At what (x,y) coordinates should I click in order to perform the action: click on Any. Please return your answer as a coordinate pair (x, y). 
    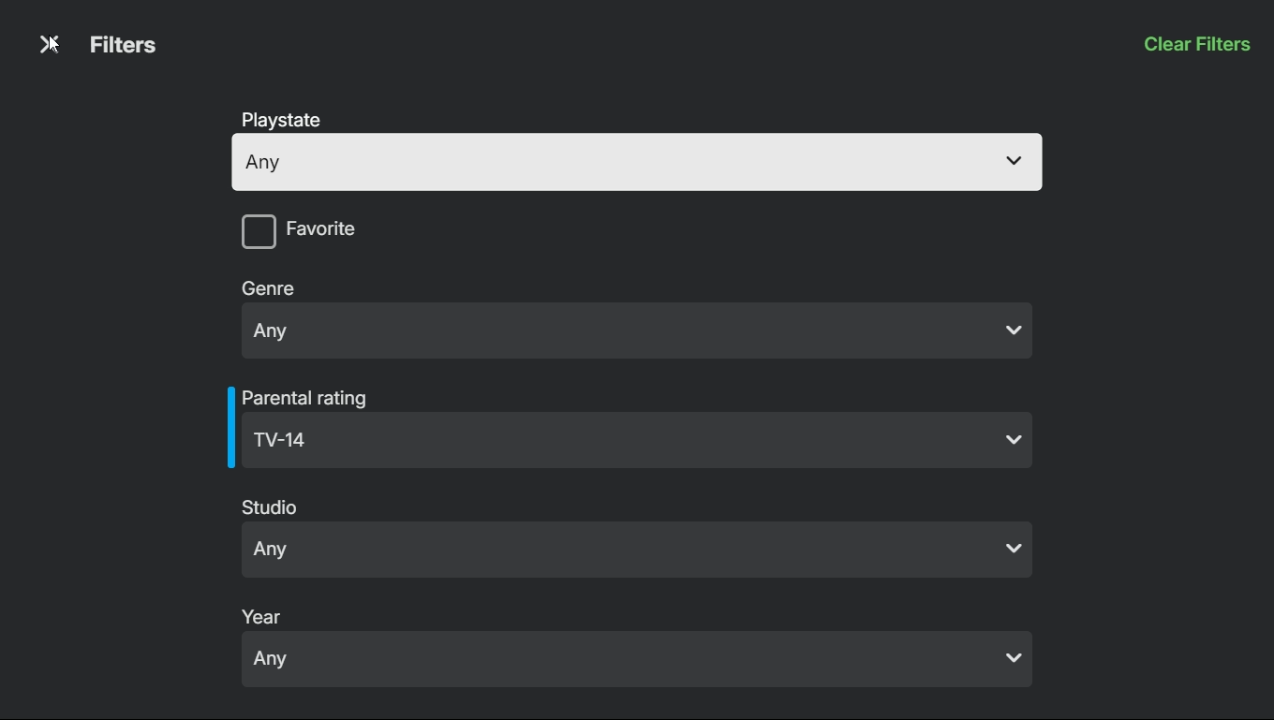
    Looking at the image, I should click on (639, 162).